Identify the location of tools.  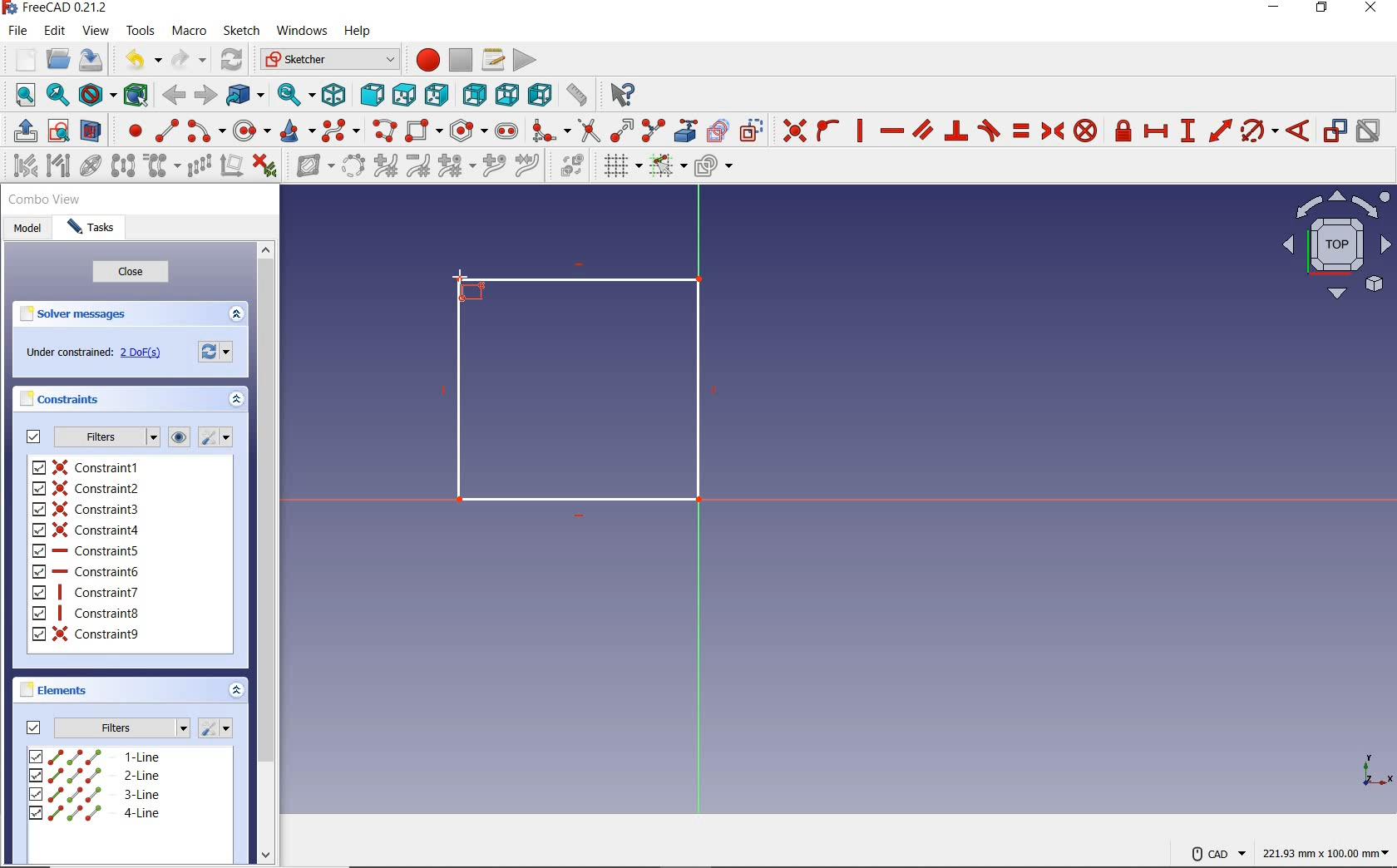
(140, 32).